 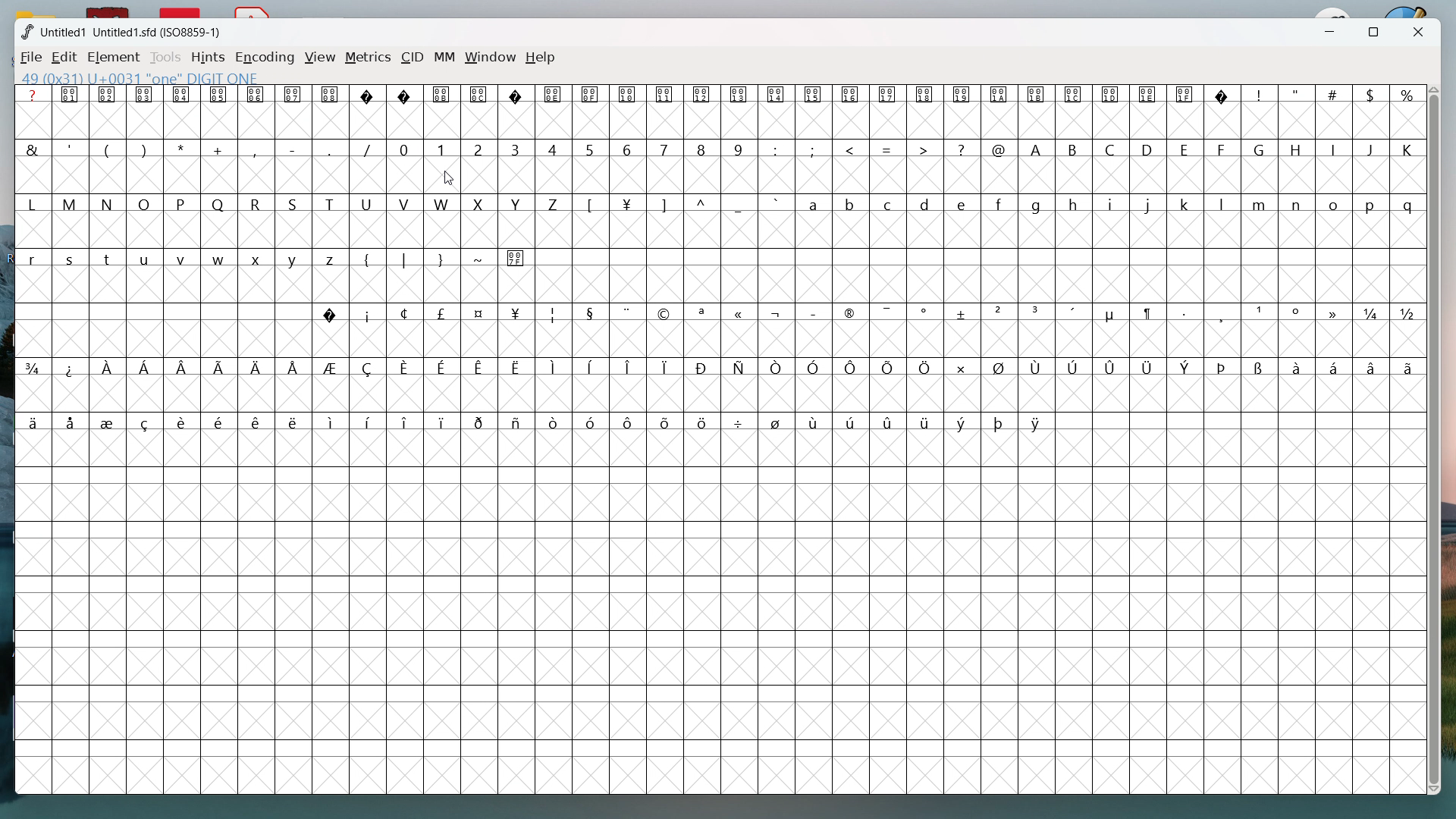 What do you see at coordinates (890, 203) in the screenshot?
I see `c` at bounding box center [890, 203].